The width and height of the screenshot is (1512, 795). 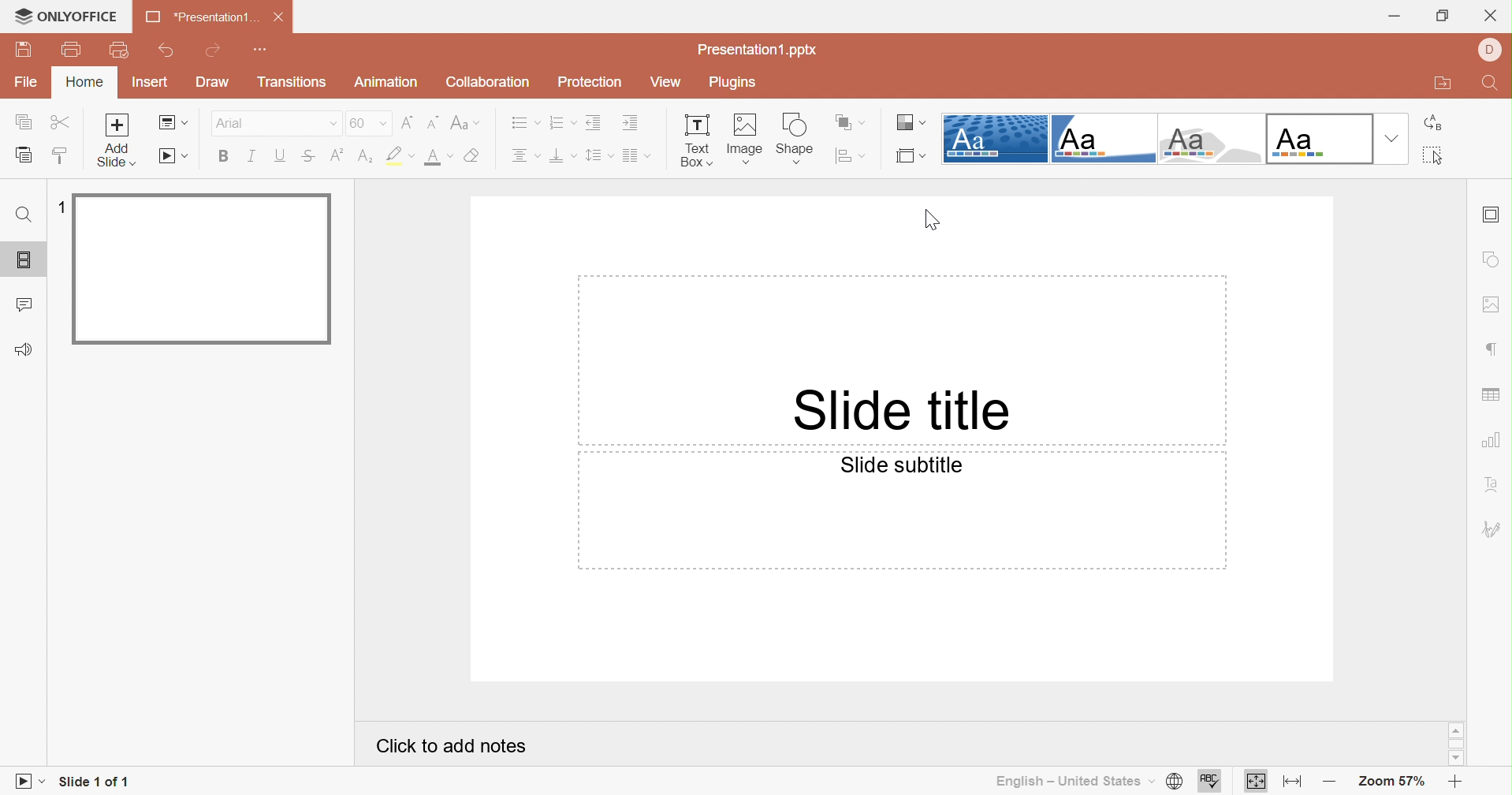 I want to click on Slide subtitle, so click(x=901, y=465).